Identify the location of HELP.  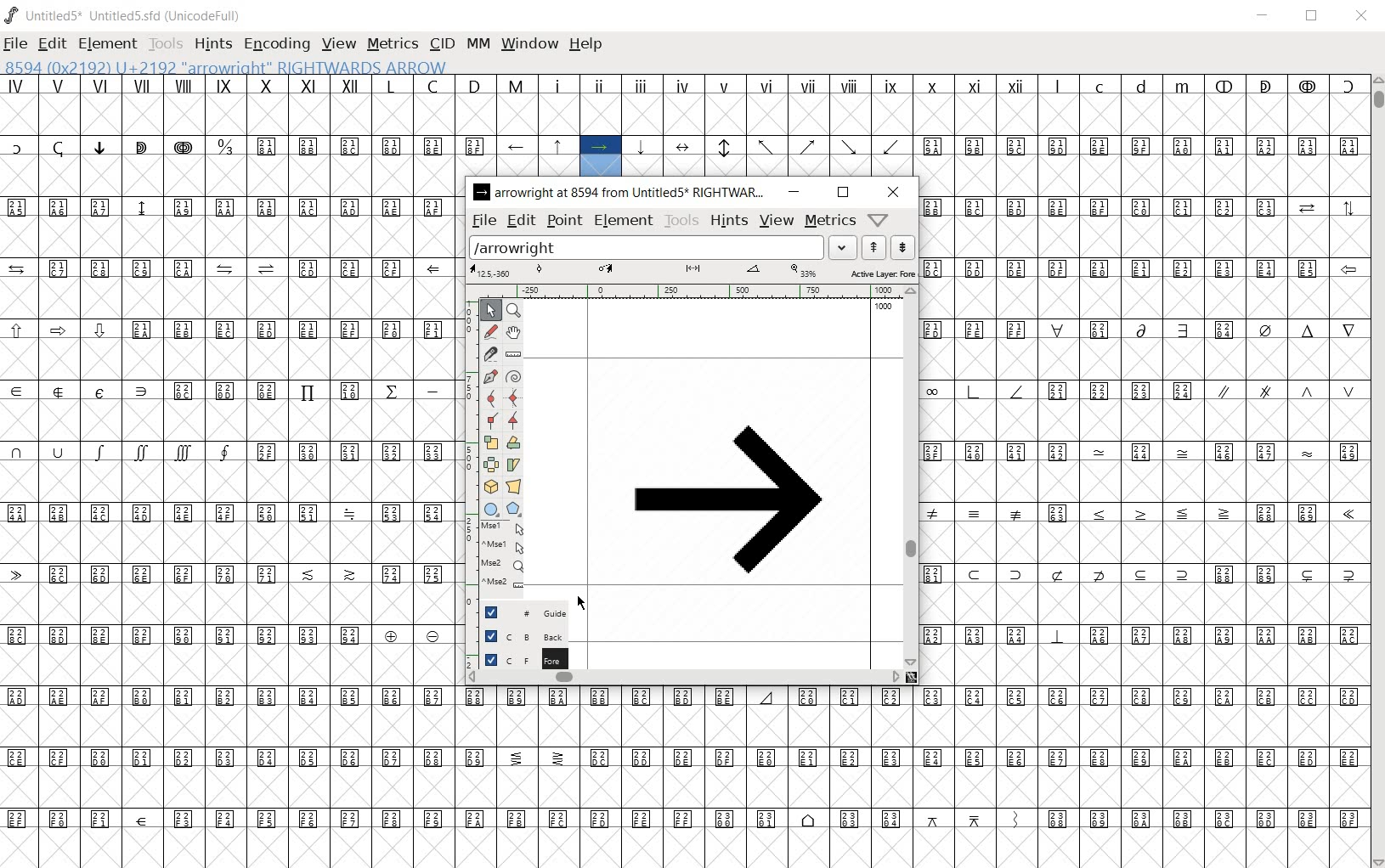
(590, 45).